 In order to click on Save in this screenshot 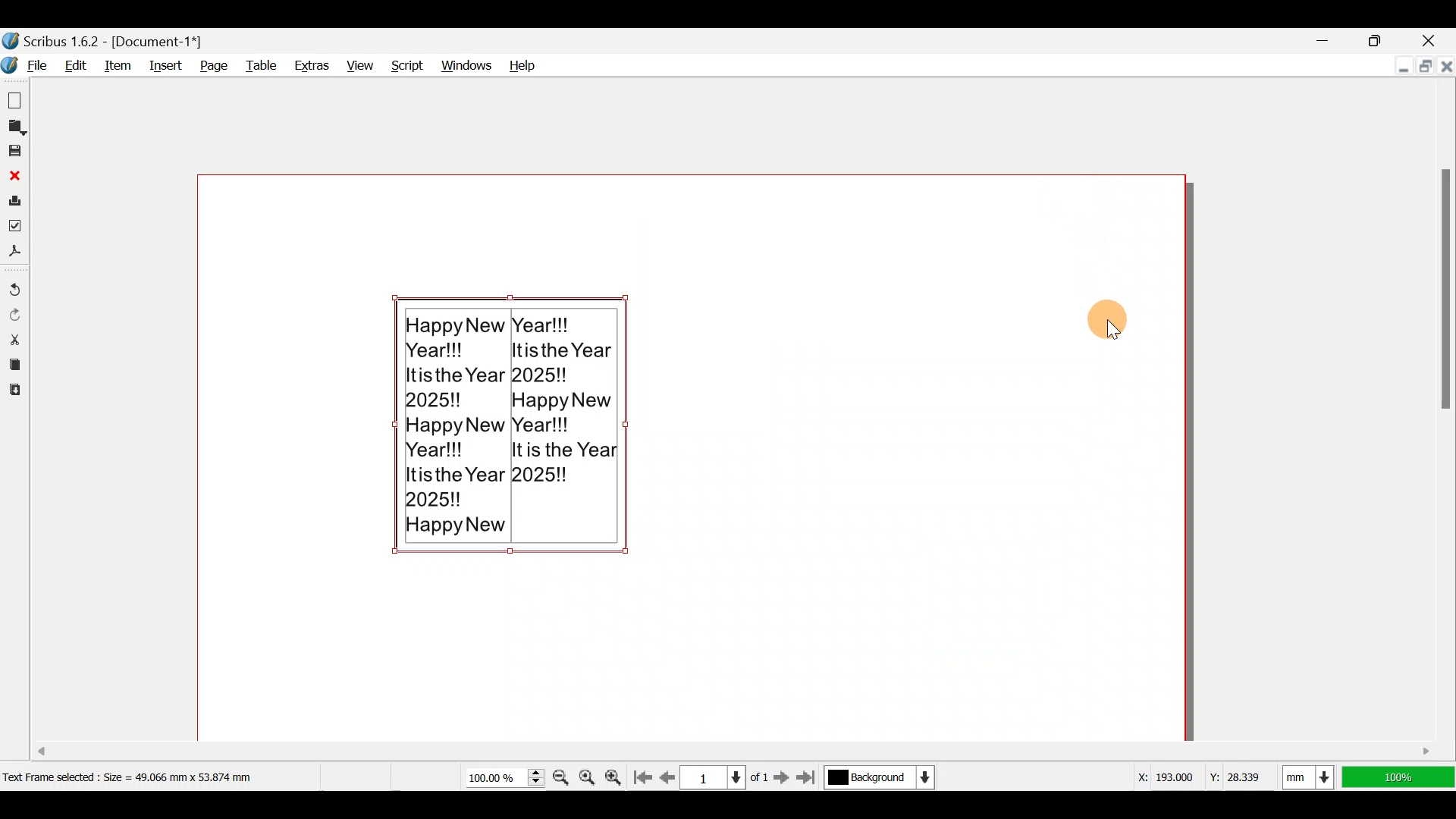, I will do `click(17, 152)`.